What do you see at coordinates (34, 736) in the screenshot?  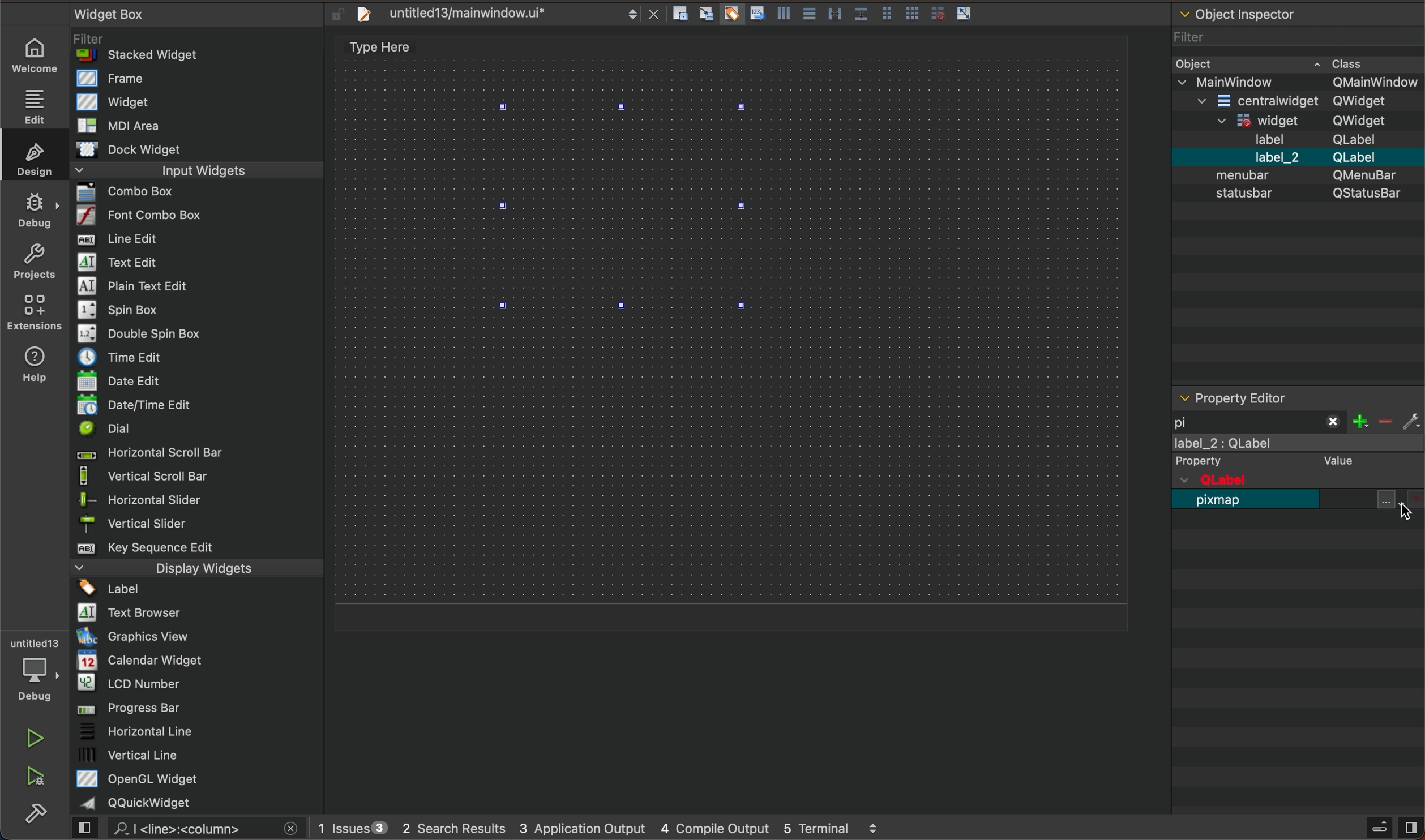 I see `run` at bounding box center [34, 736].